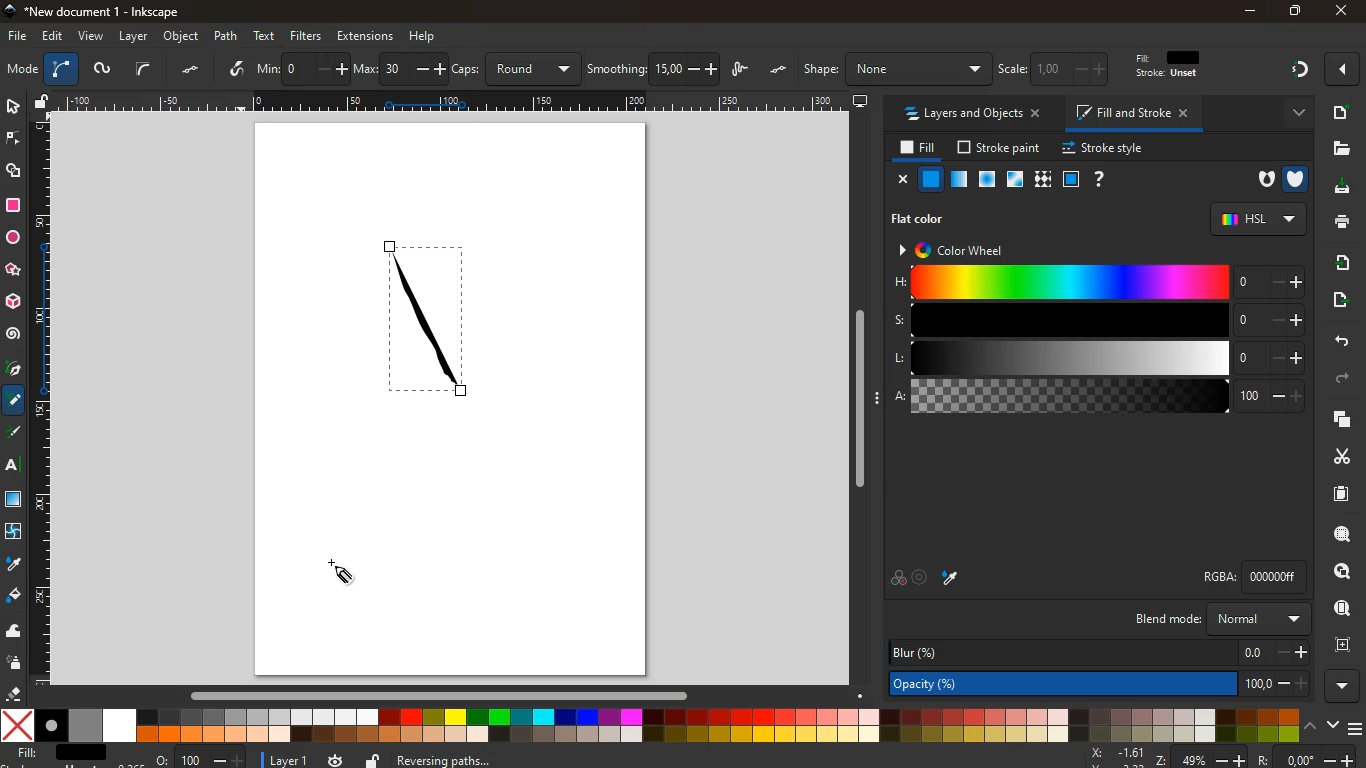  Describe the element at coordinates (101, 71) in the screenshot. I see `worm` at that location.